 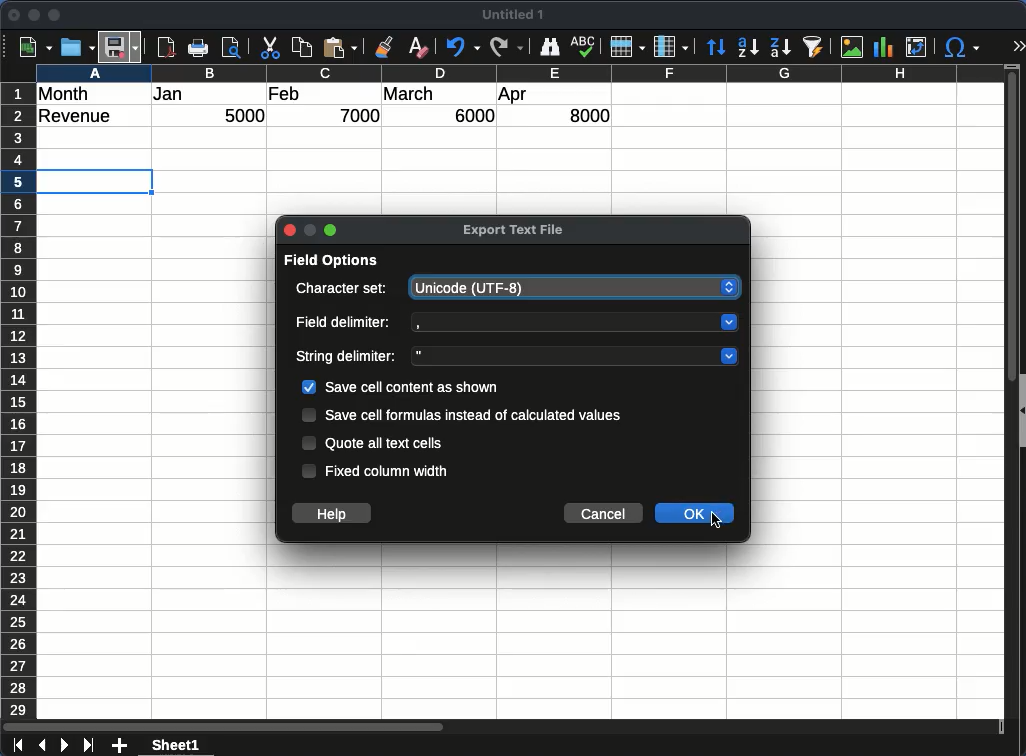 What do you see at coordinates (344, 290) in the screenshot?
I see `character set` at bounding box center [344, 290].